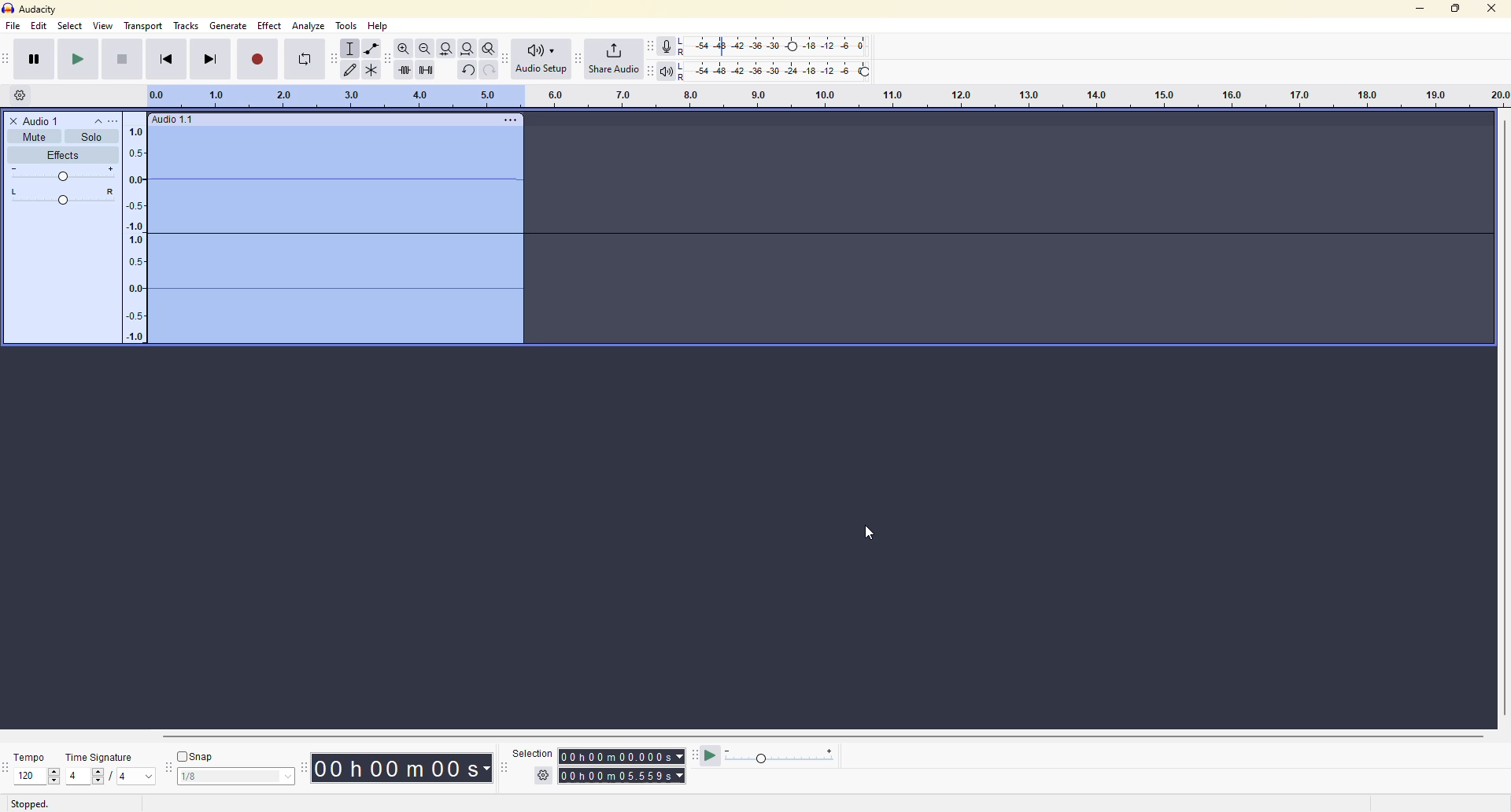 The height and width of the screenshot is (812, 1511). I want to click on selection, so click(530, 752).